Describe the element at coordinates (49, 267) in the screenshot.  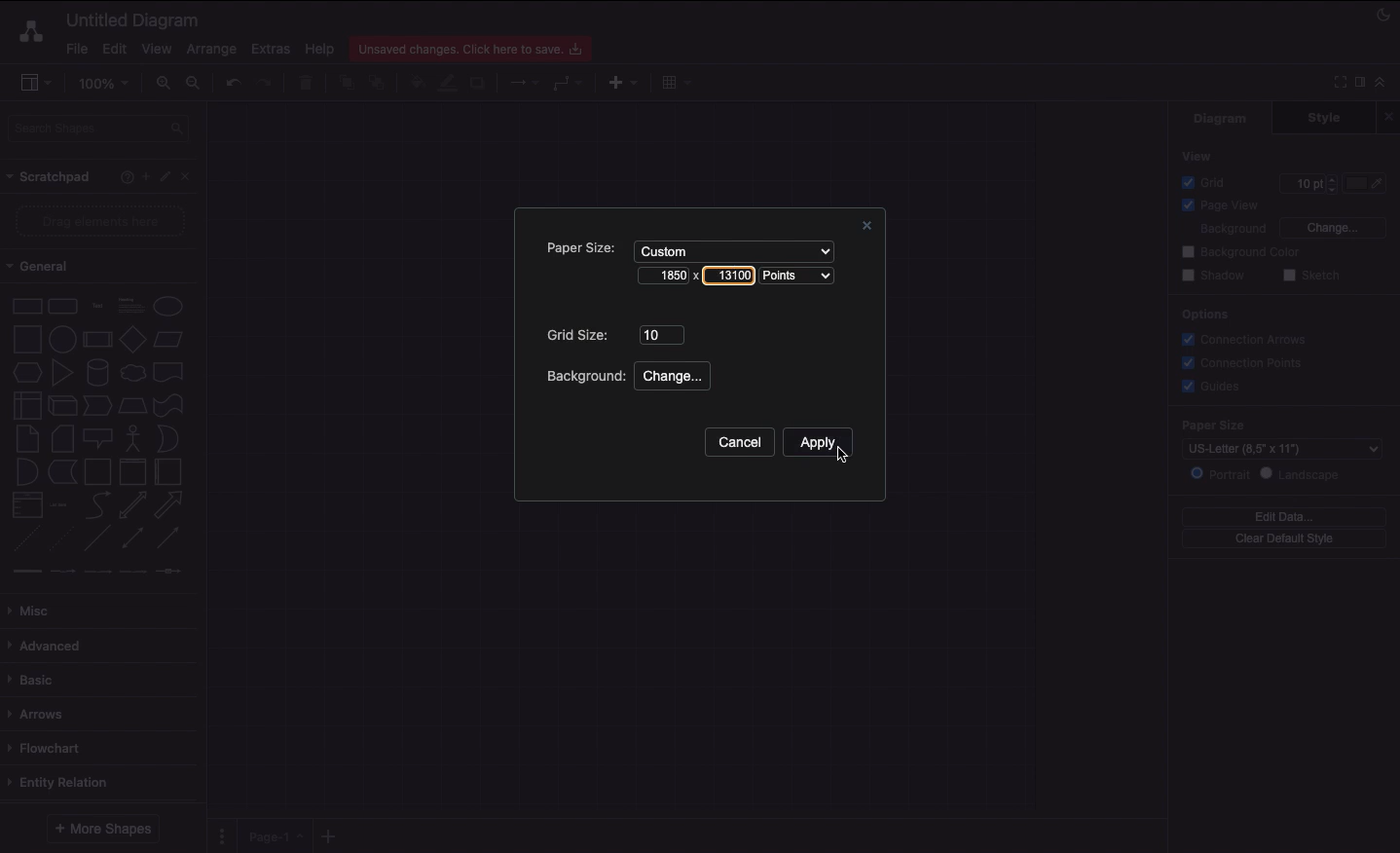
I see `General ` at that location.